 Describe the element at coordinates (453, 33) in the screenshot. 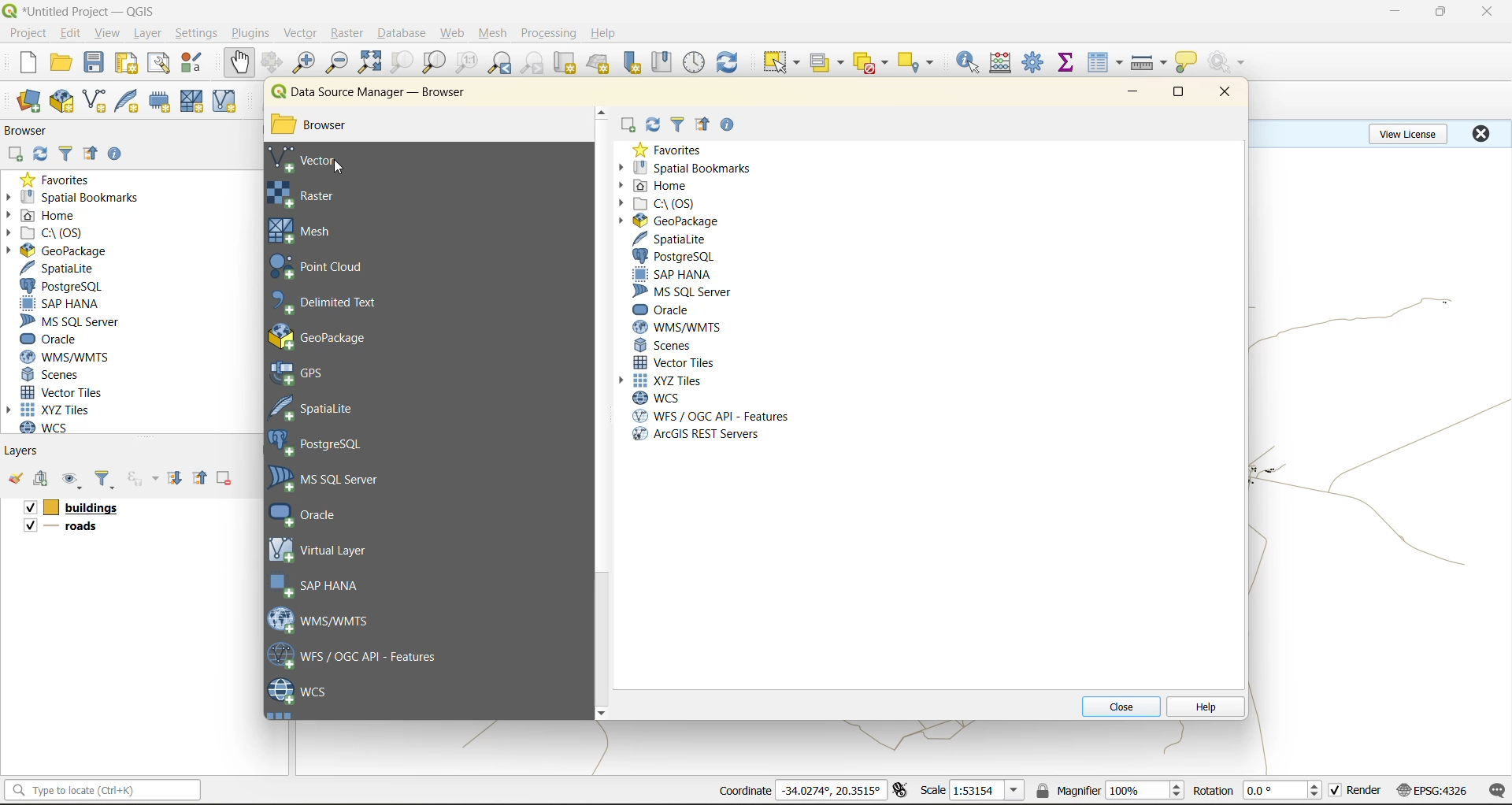

I see `web` at that location.